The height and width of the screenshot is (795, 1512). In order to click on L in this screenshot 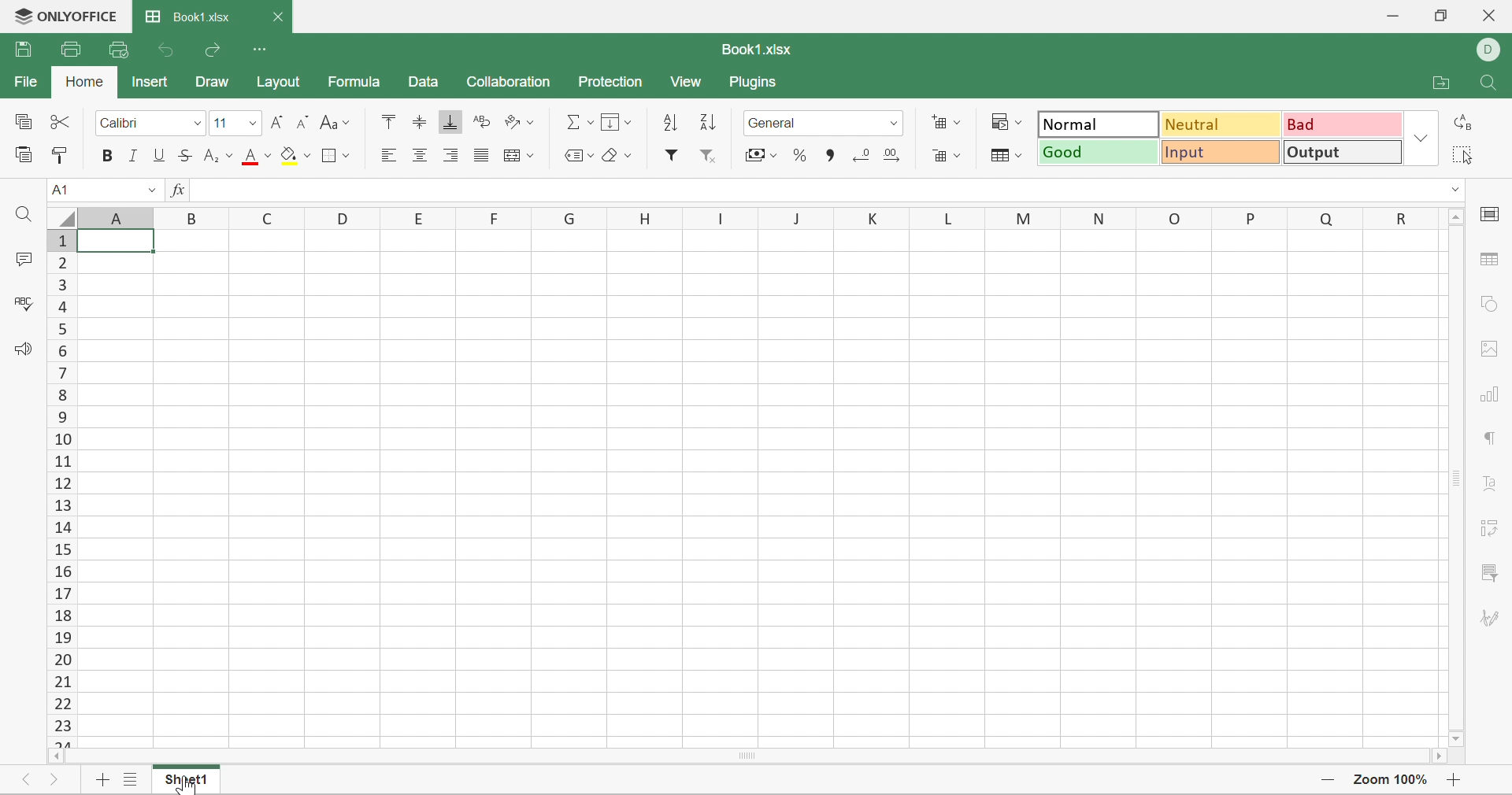, I will do `click(936, 217)`.